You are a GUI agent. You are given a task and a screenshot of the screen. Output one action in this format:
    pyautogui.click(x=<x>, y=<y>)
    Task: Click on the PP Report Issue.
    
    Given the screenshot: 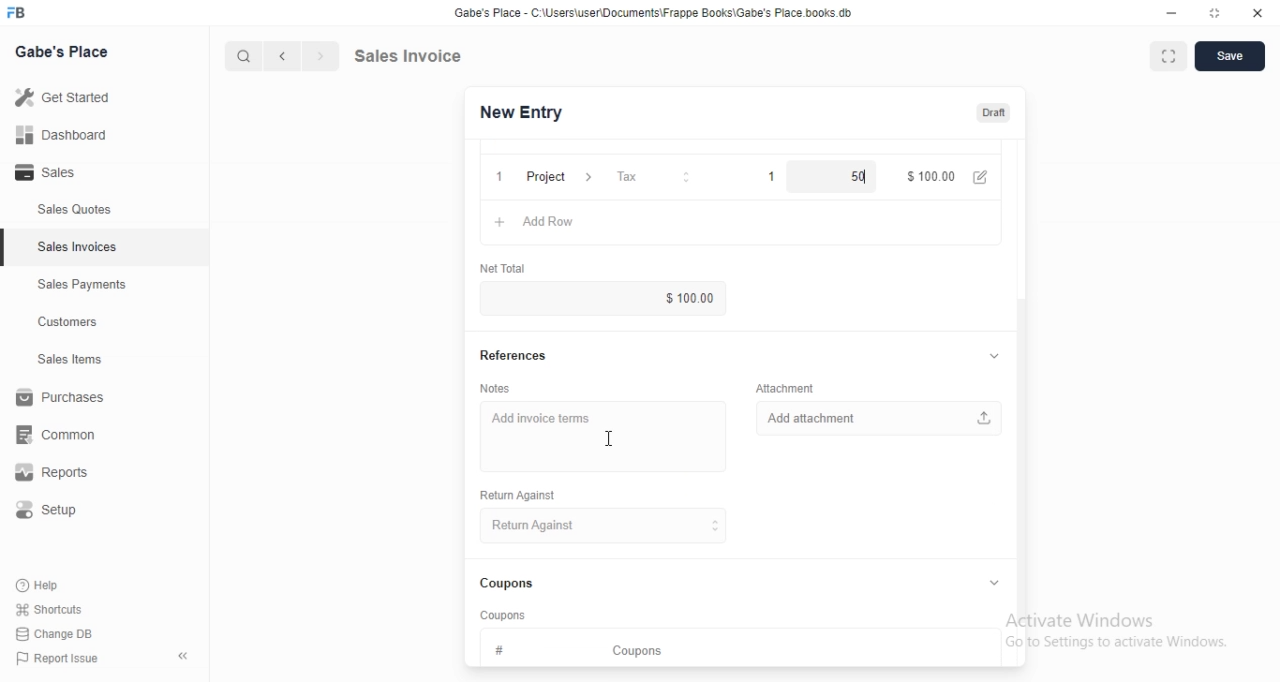 What is the action you would take?
    pyautogui.click(x=64, y=662)
    